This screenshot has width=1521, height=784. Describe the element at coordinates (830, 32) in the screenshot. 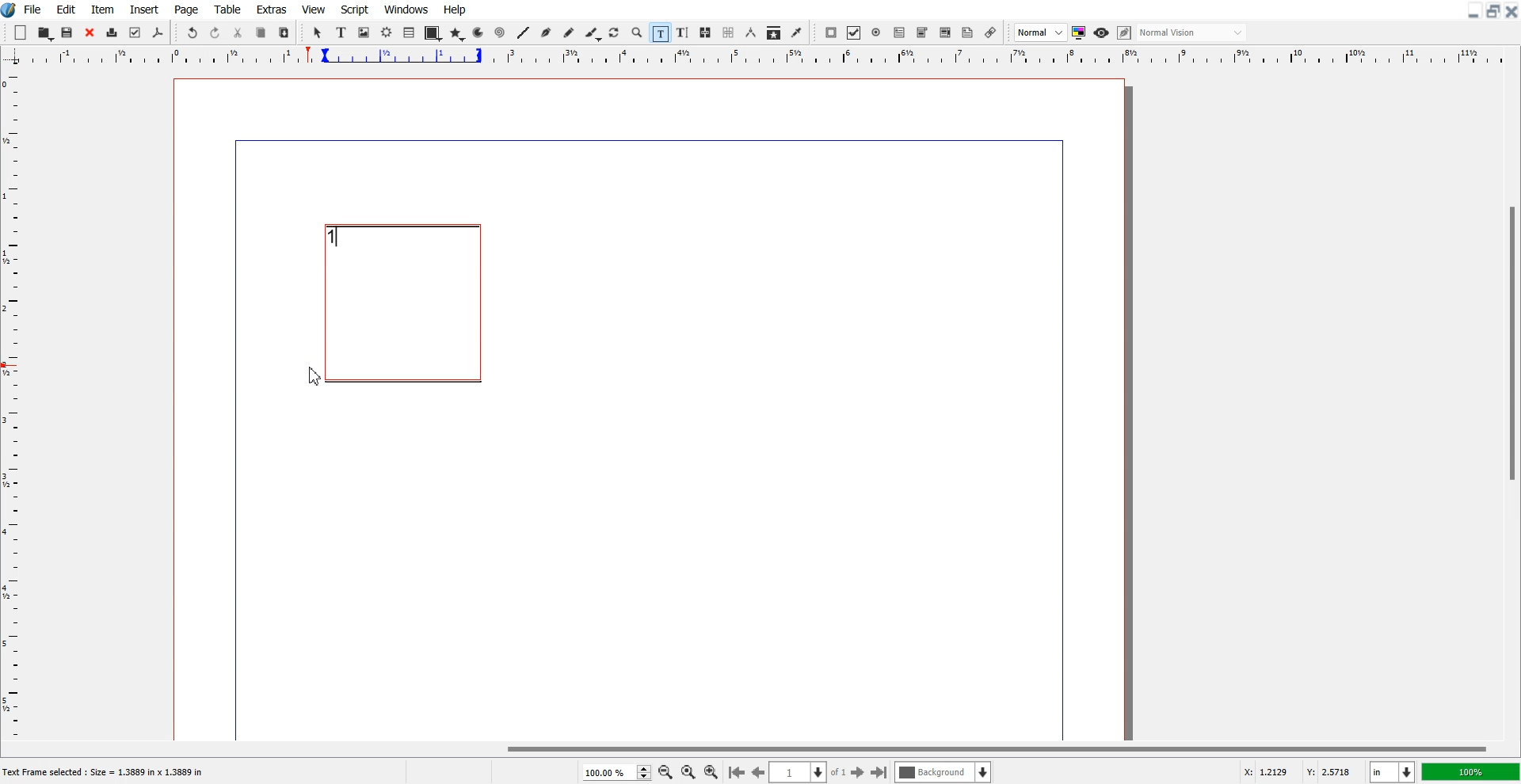

I see `PDF Push button ` at that location.